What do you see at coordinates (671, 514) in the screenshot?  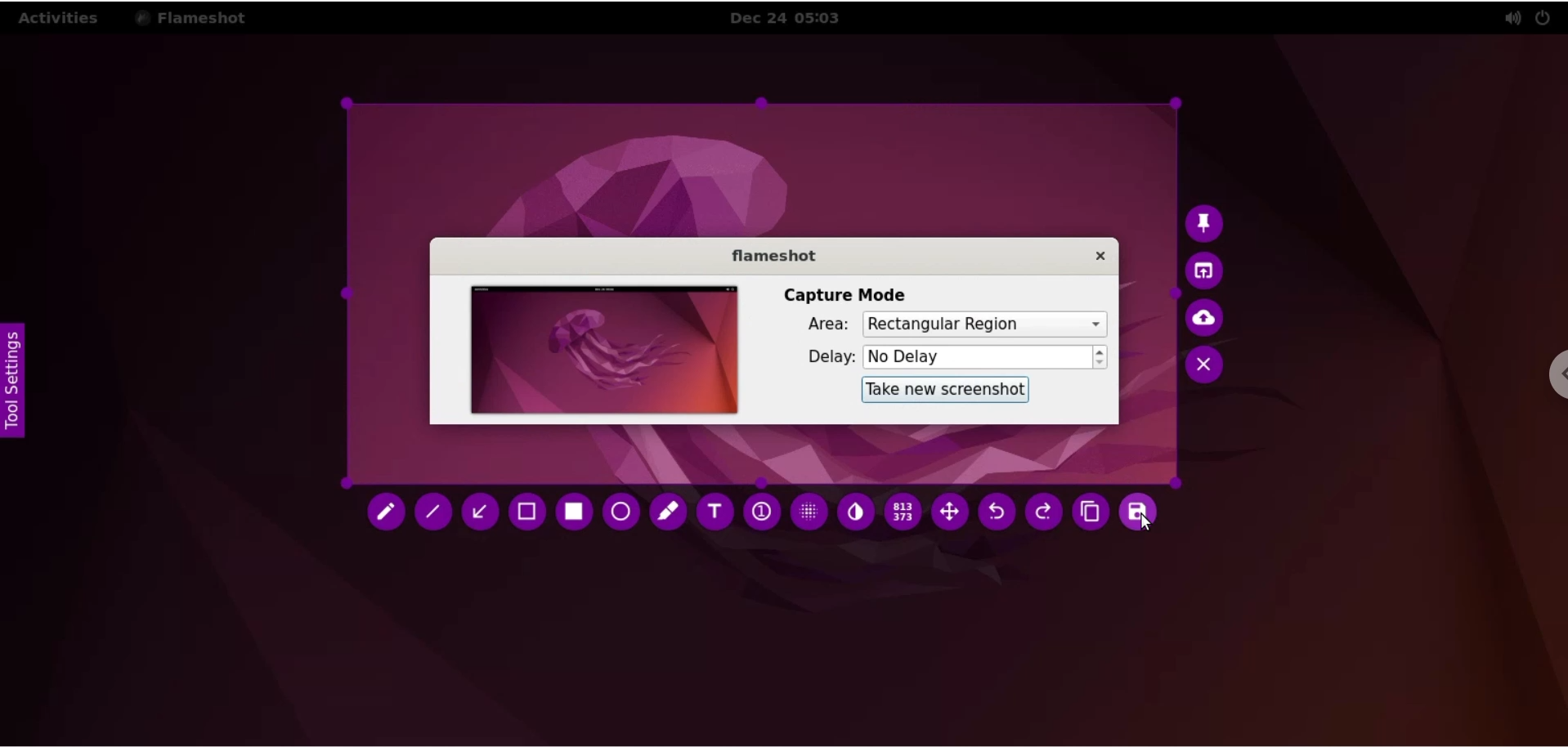 I see `marker` at bounding box center [671, 514].